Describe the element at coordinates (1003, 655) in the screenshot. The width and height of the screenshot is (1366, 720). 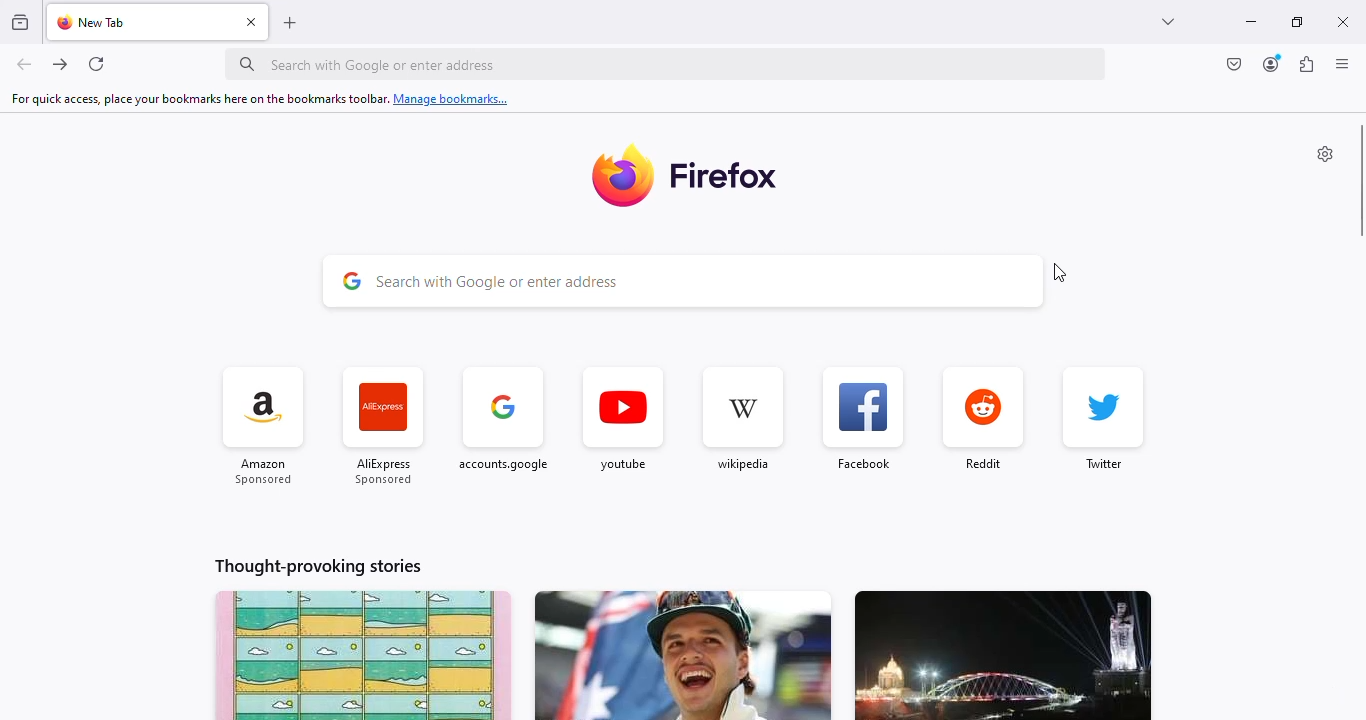
I see `story` at that location.